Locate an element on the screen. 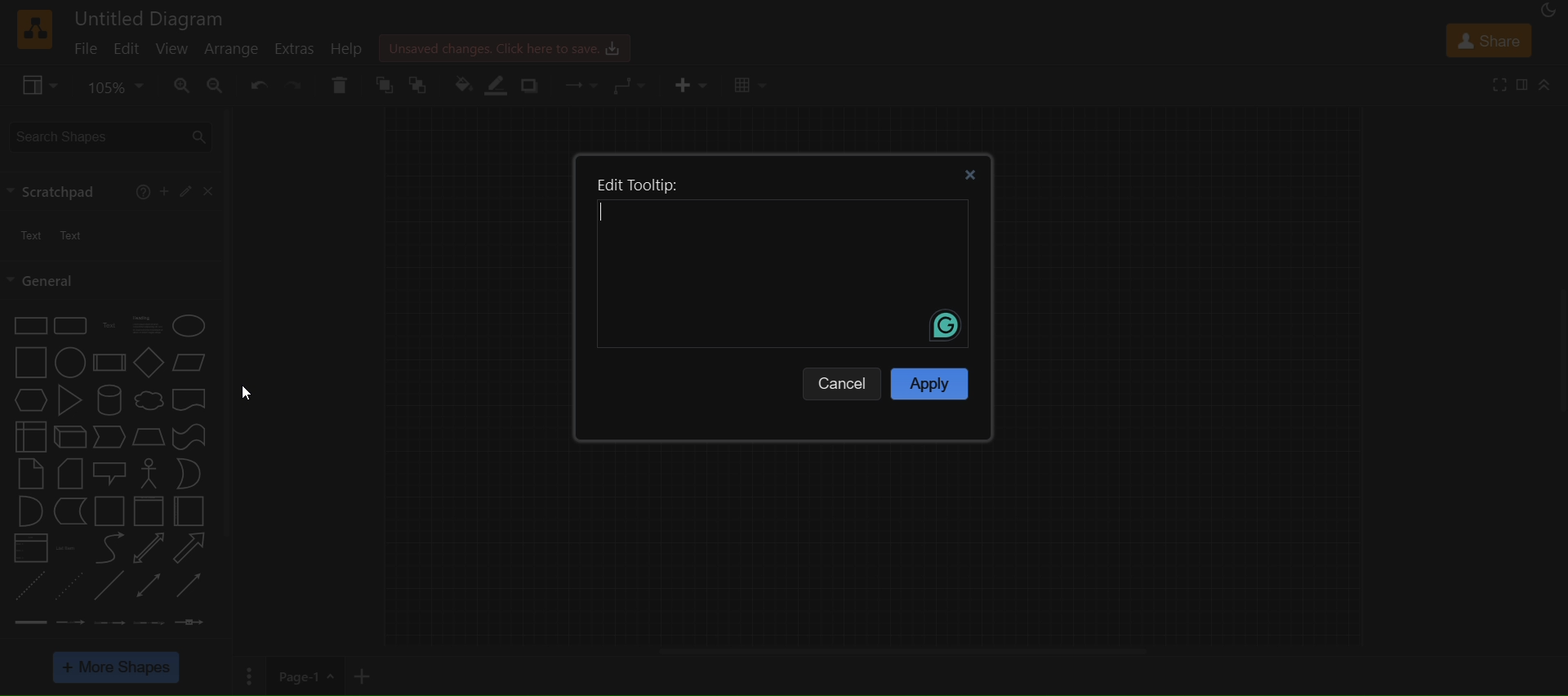  undo is located at coordinates (256, 85).